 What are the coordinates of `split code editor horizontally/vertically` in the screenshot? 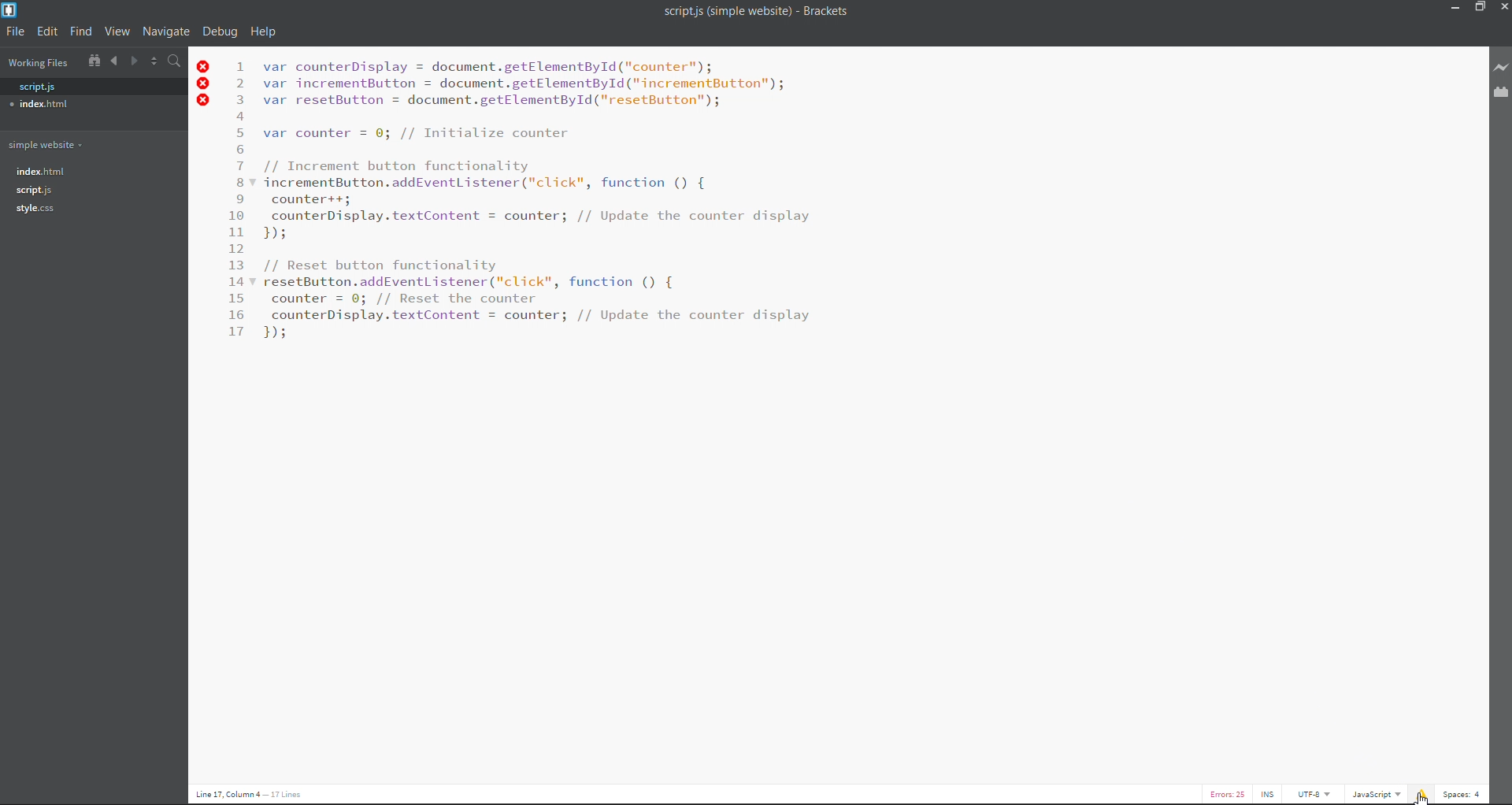 It's located at (154, 61).